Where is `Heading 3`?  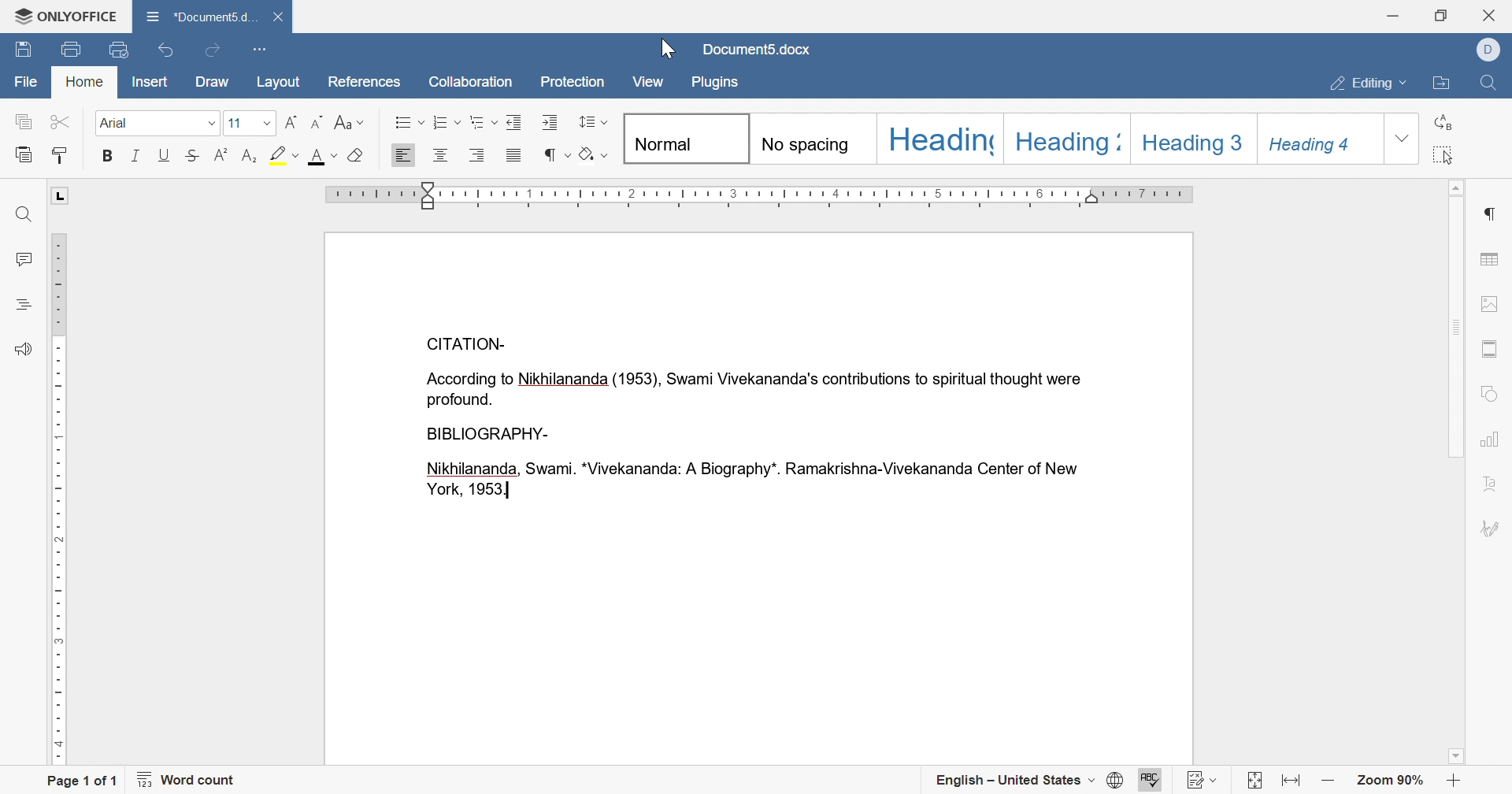 Heading 3 is located at coordinates (1192, 139).